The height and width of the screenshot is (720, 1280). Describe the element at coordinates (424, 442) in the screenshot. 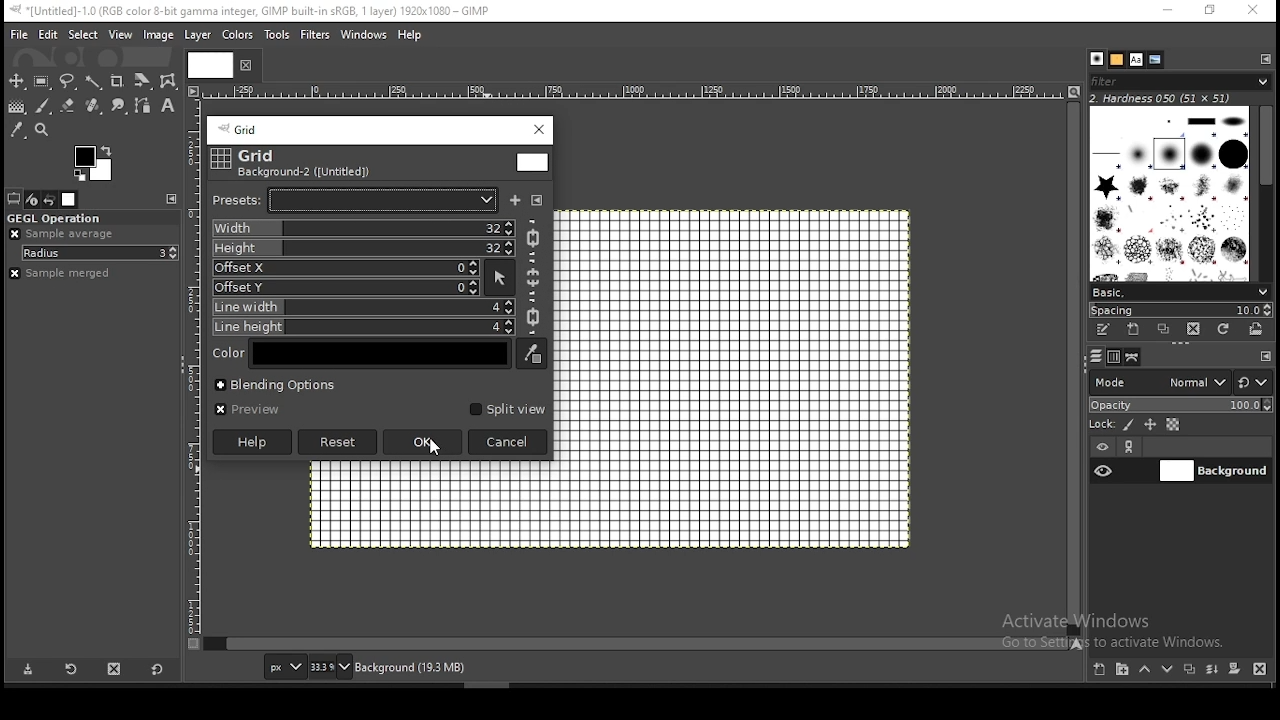

I see `ok` at that location.